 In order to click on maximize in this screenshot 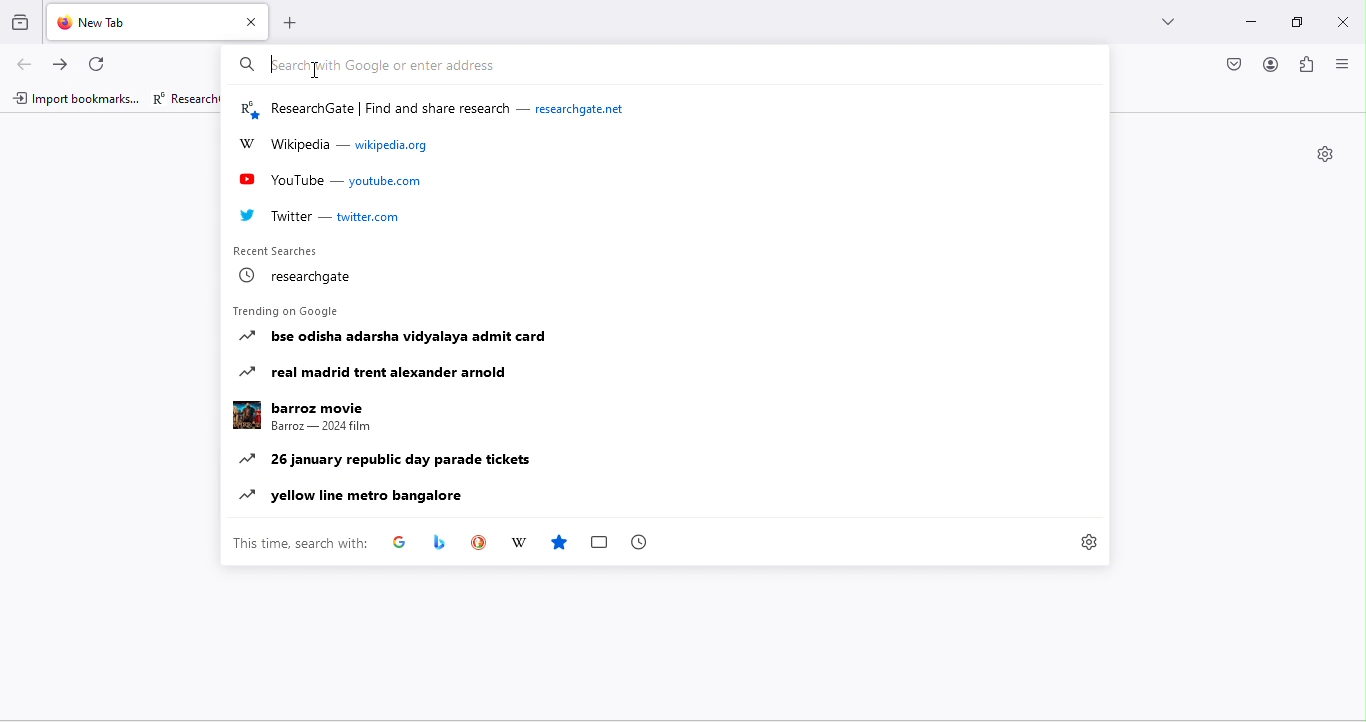, I will do `click(1301, 22)`.